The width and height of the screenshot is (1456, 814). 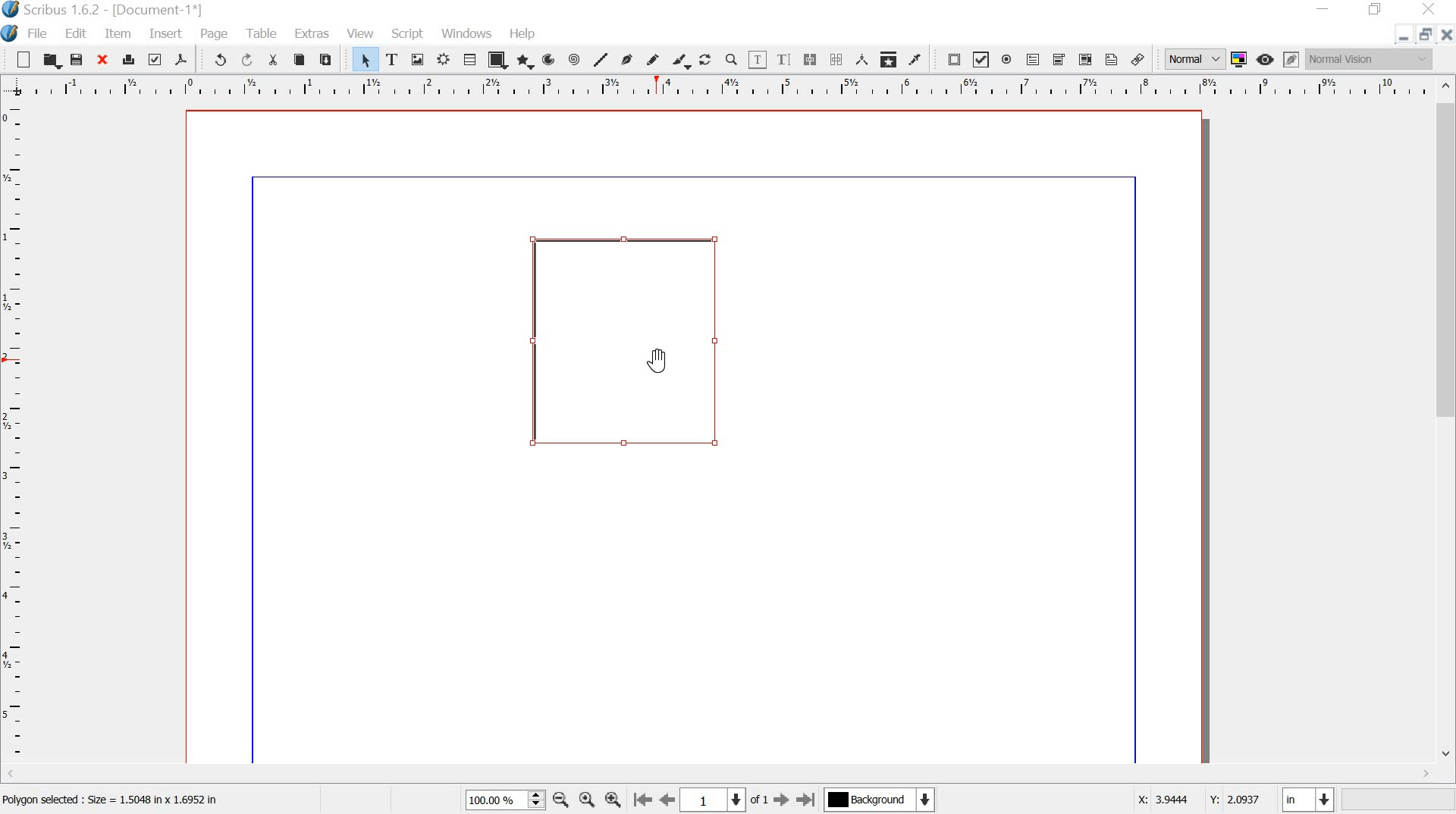 I want to click on text frame, so click(x=396, y=60).